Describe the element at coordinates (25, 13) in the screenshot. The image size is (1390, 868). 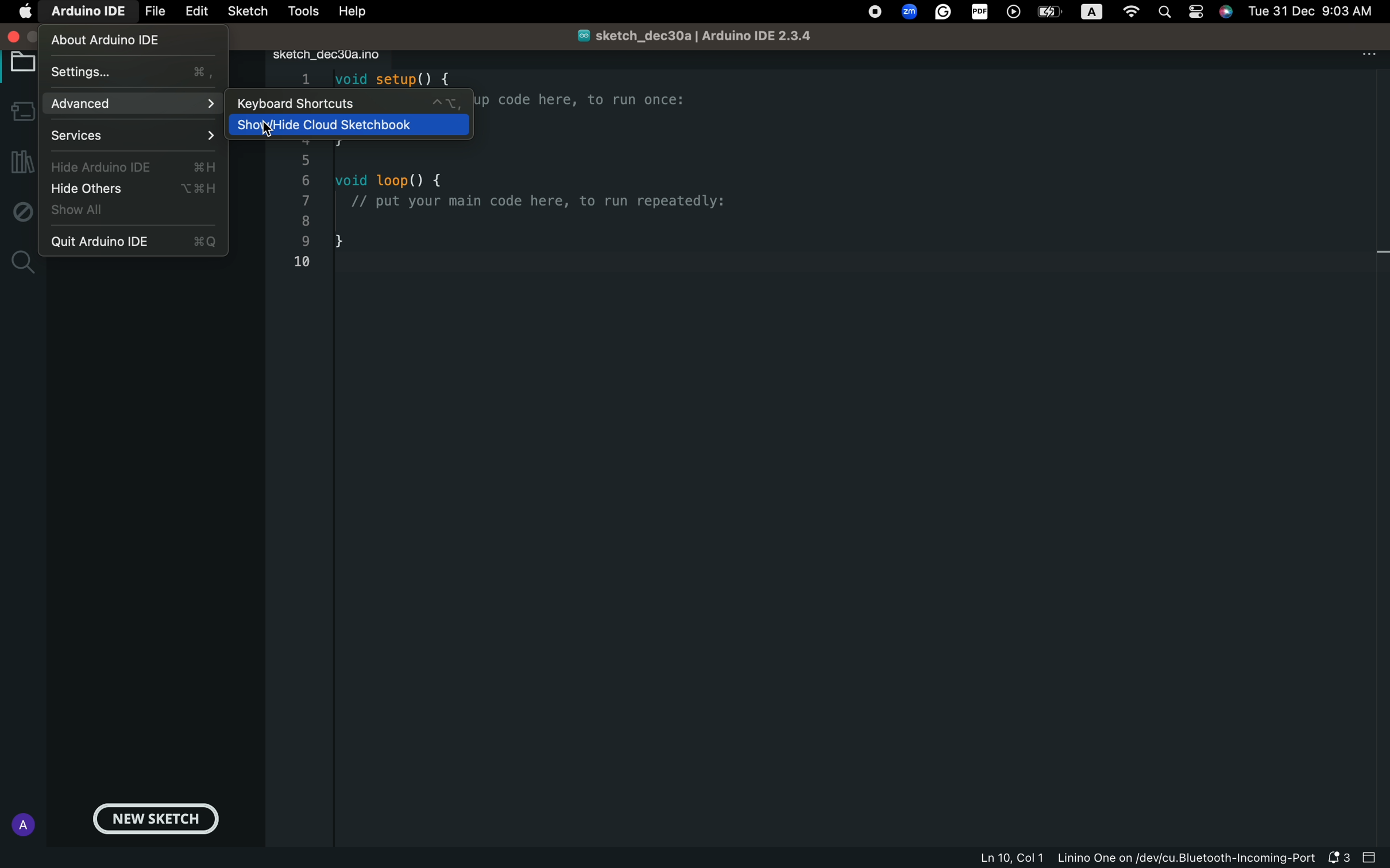
I see `main setting` at that location.